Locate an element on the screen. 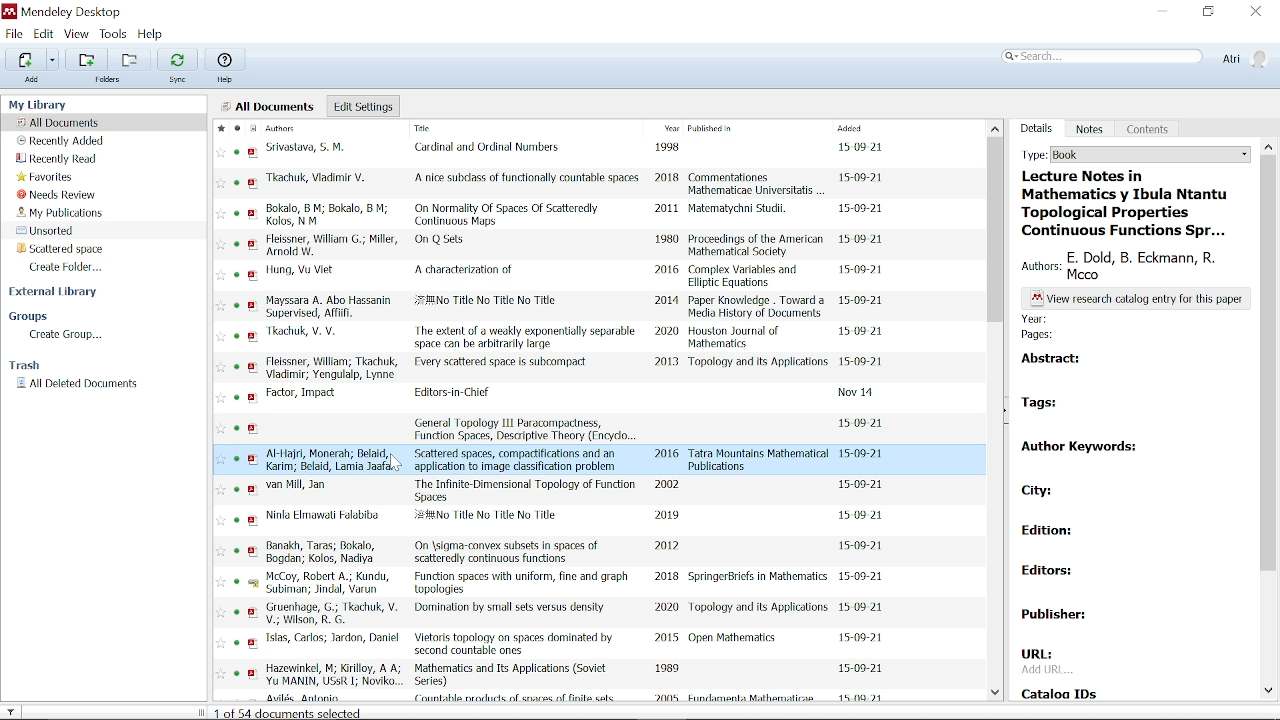 This screenshot has width=1280, height=720. Sync is located at coordinates (177, 59).